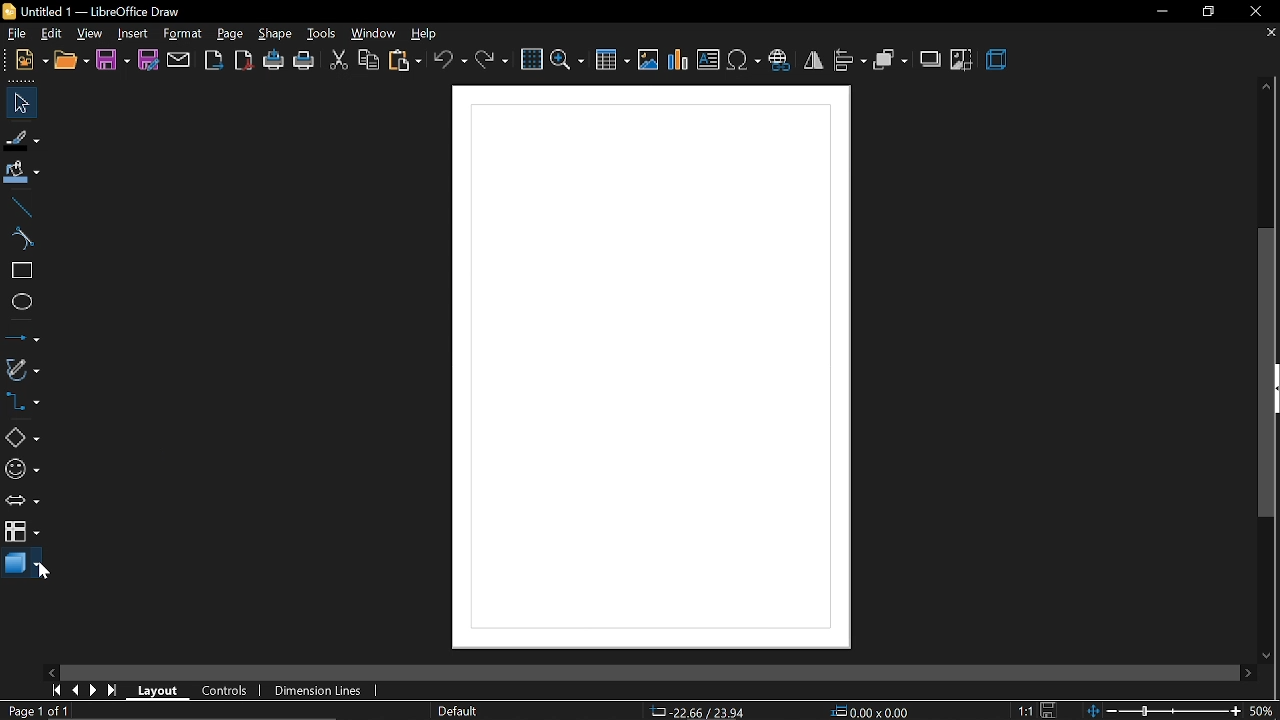 The height and width of the screenshot is (720, 1280). I want to click on view, so click(90, 32).